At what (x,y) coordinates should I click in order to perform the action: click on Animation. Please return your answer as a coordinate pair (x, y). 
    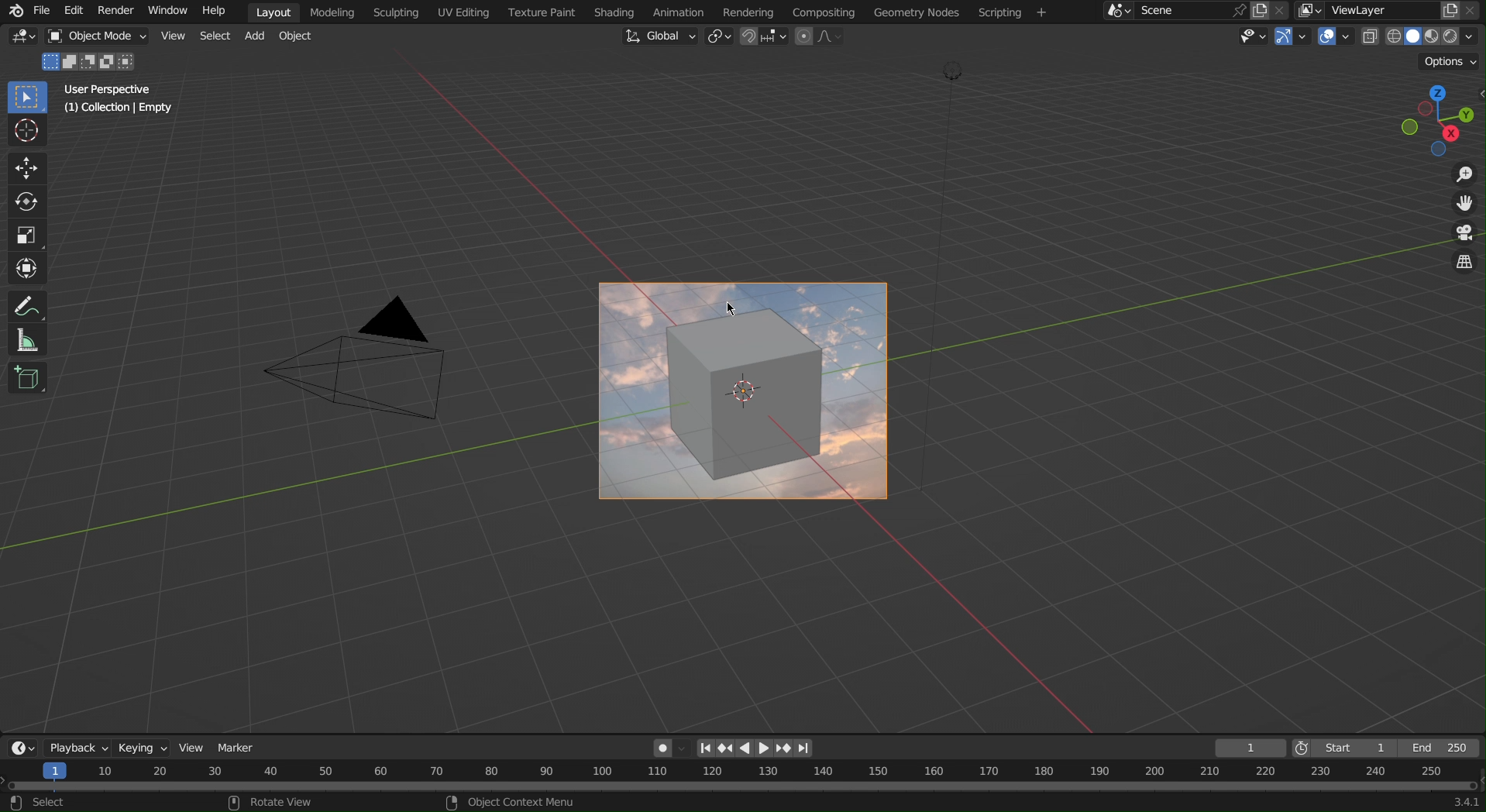
    Looking at the image, I should click on (677, 11).